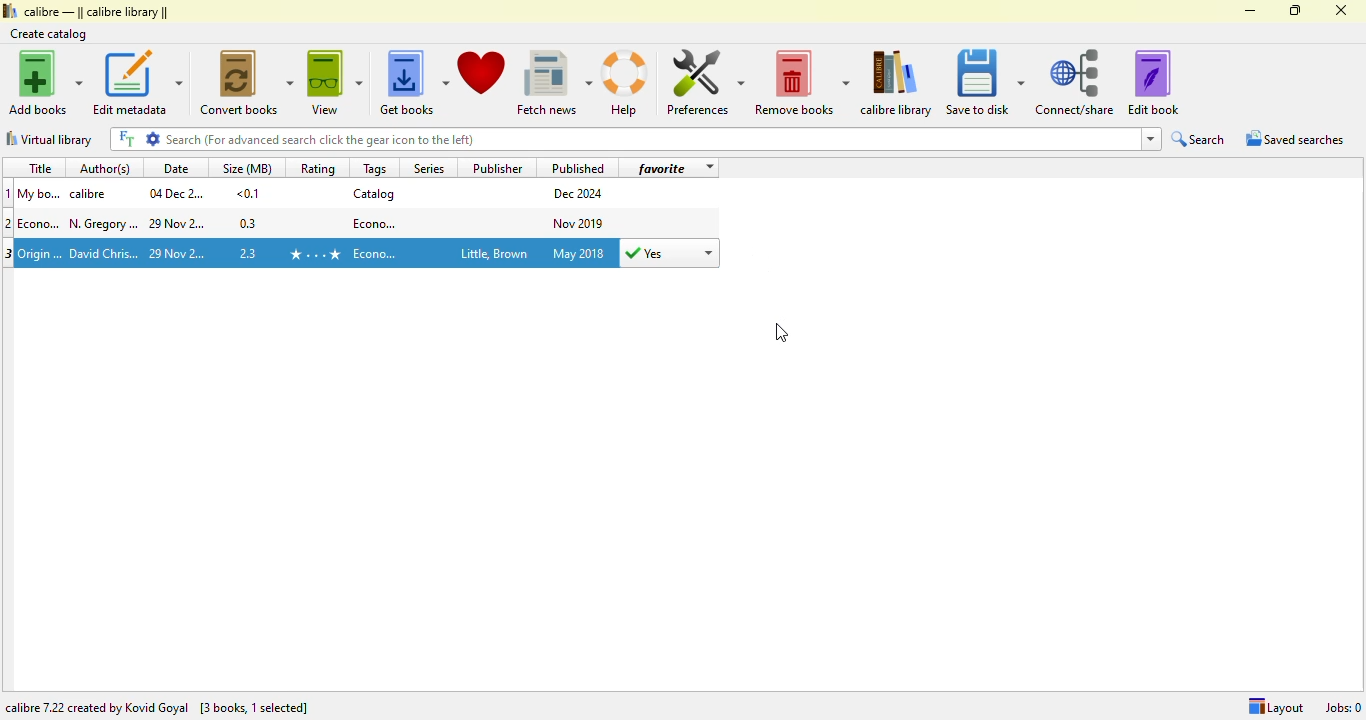 The height and width of the screenshot is (720, 1366). Describe the element at coordinates (92, 194) in the screenshot. I see `author` at that location.